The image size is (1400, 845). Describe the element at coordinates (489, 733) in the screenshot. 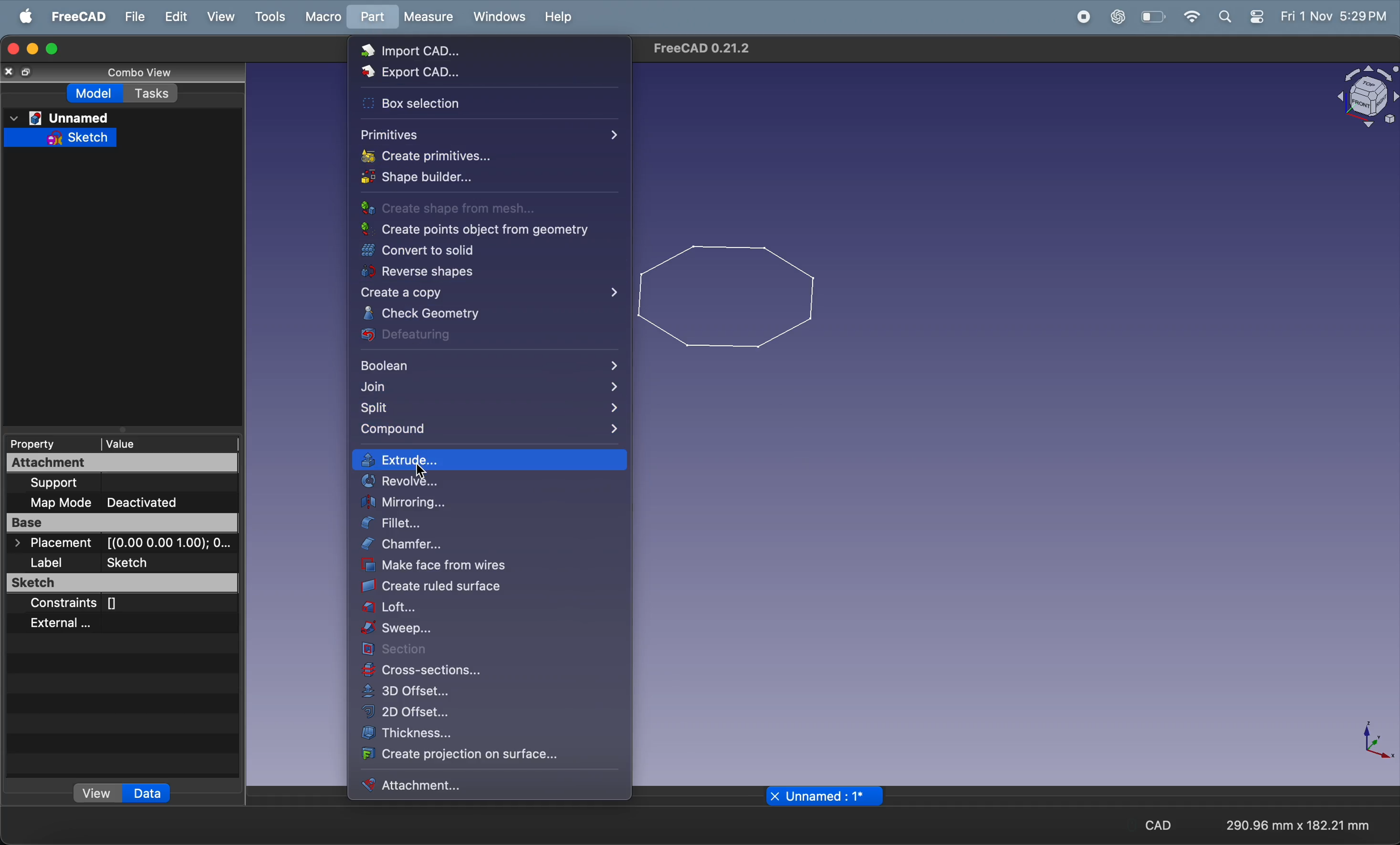

I see `thickness` at that location.